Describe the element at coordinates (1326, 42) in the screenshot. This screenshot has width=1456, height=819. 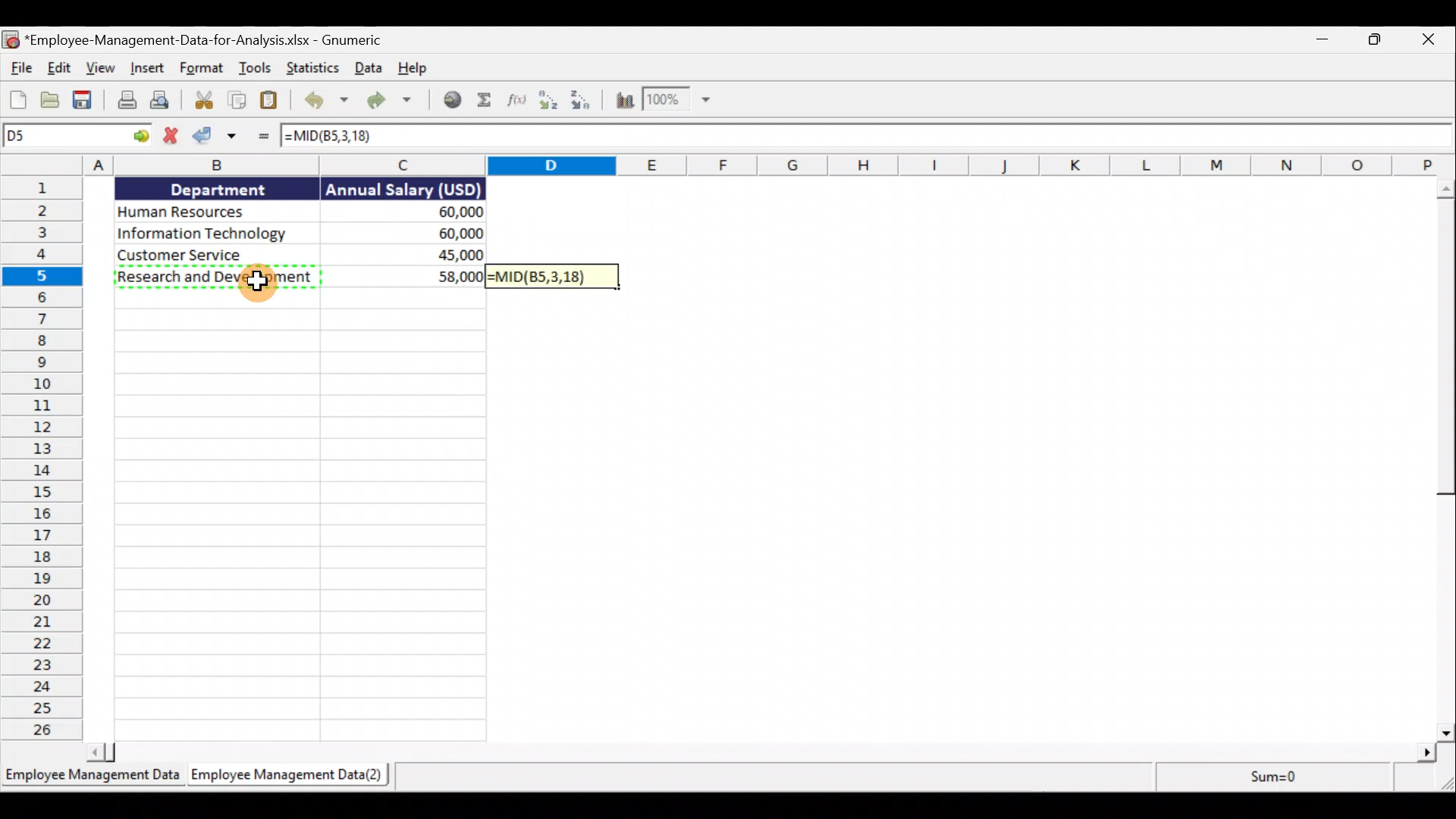
I see `Minimise` at that location.